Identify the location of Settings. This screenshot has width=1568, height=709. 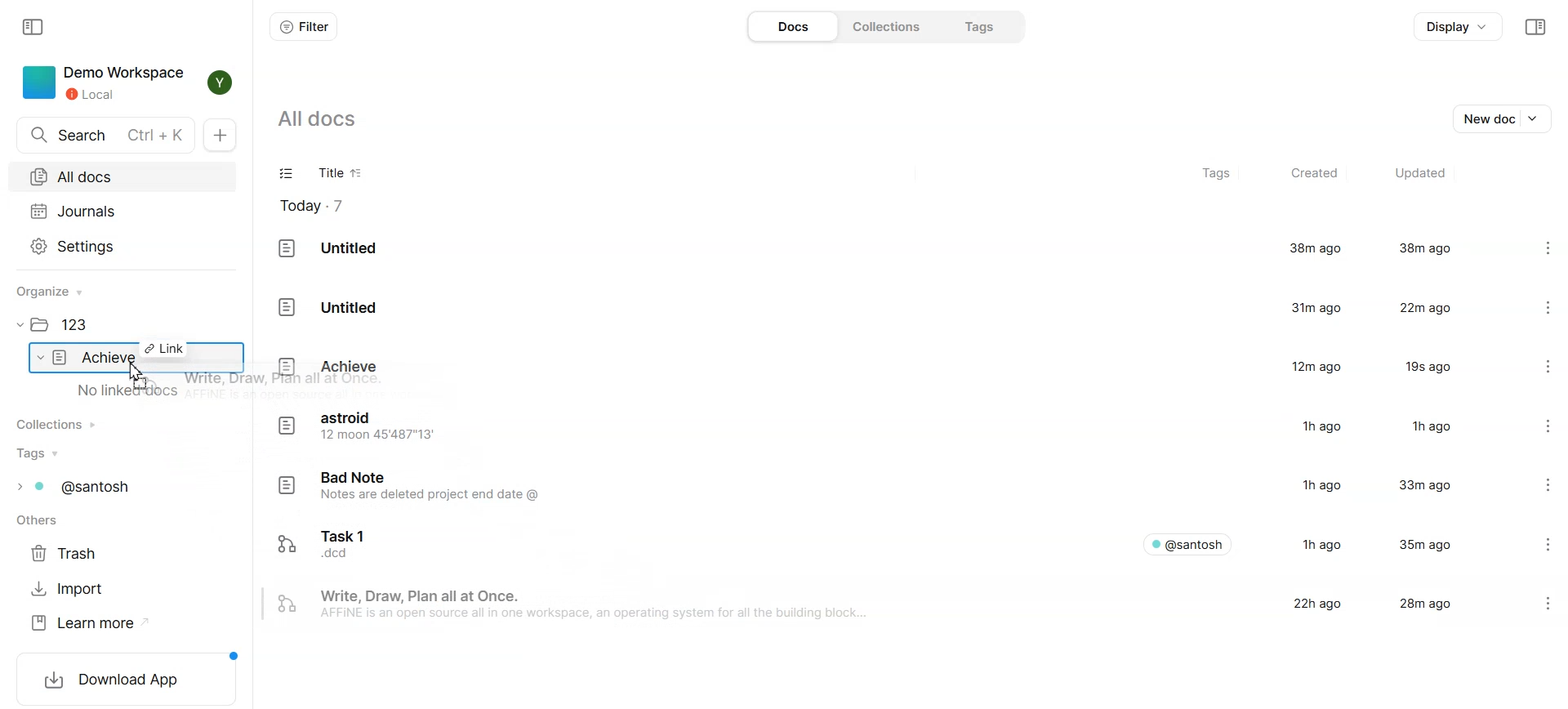
(1535, 427).